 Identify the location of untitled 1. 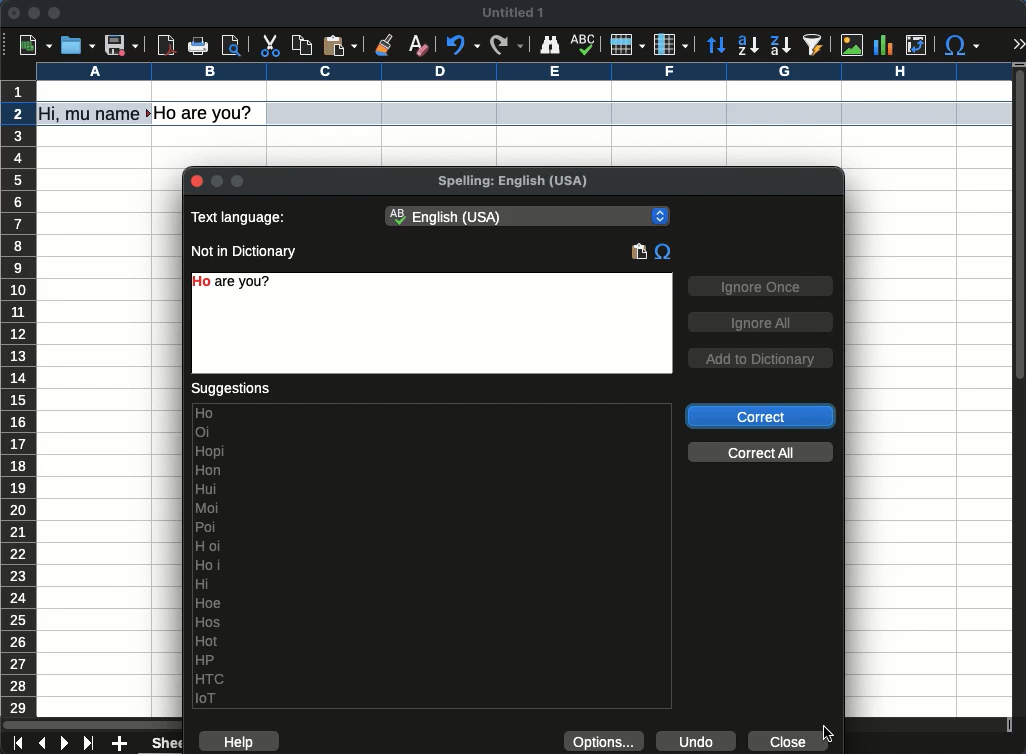
(512, 12).